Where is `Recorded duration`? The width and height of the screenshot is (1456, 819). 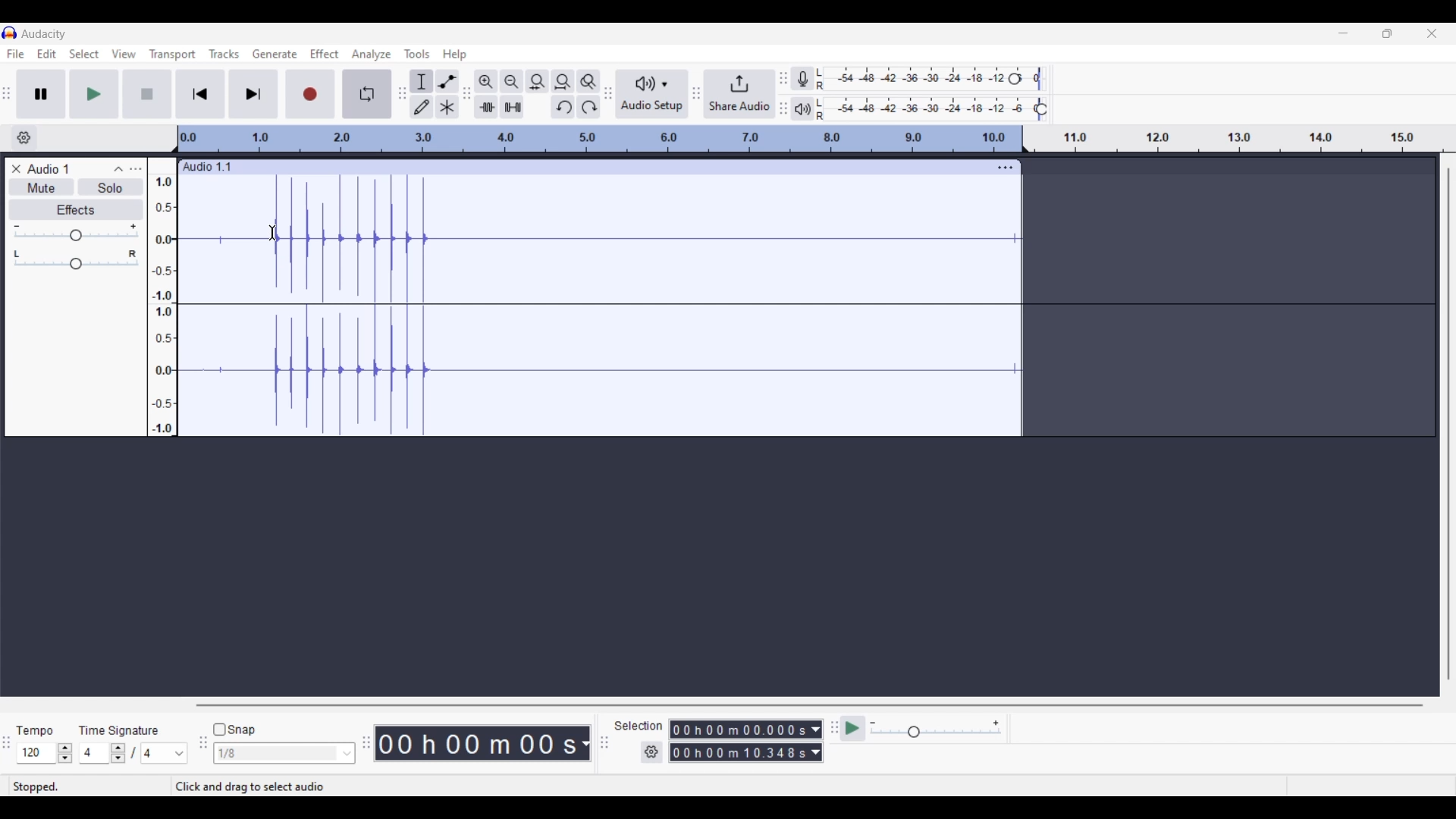 Recorded duration is located at coordinates (476, 743).